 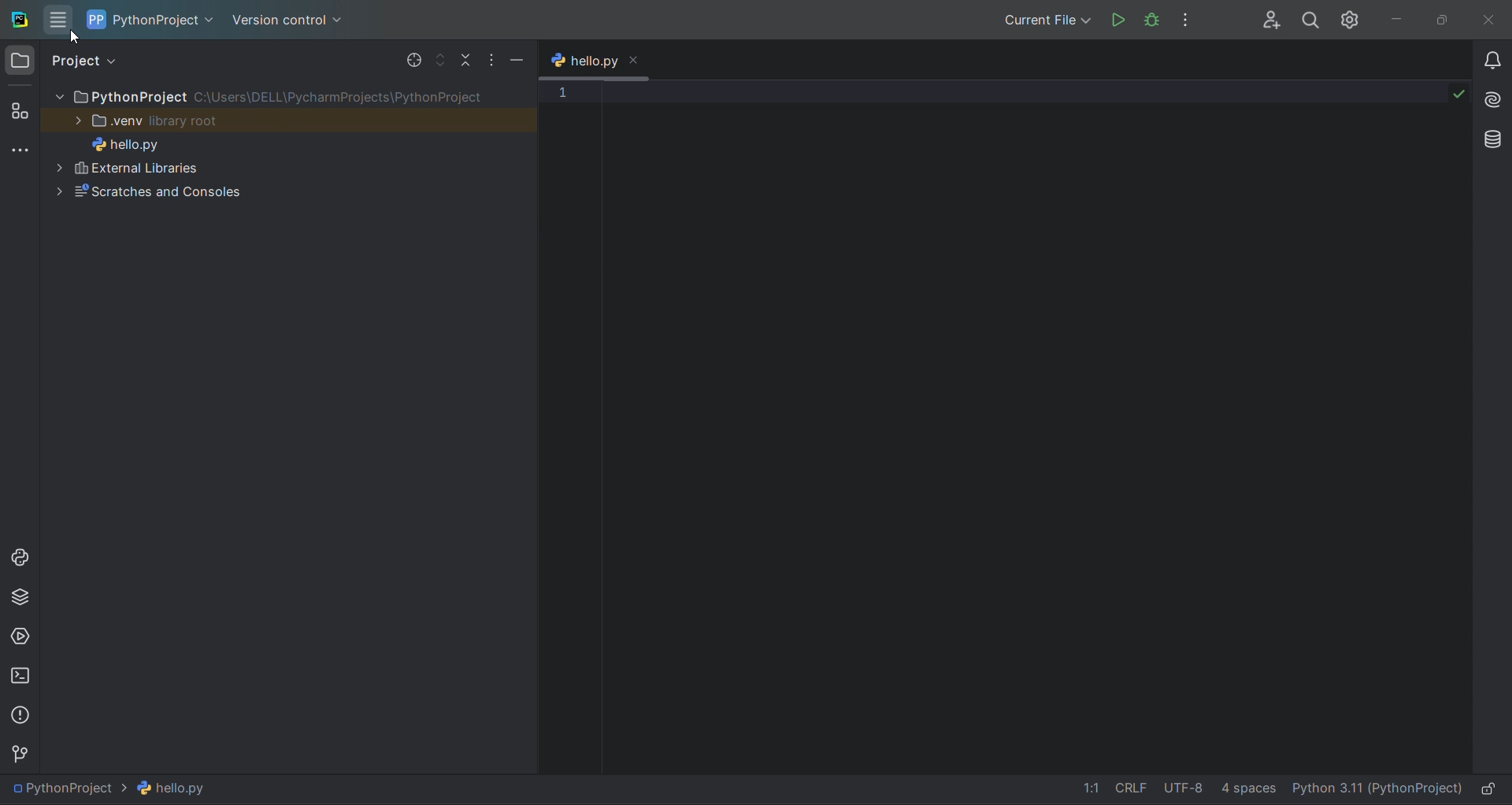 I want to click on view Library root, so click(x=161, y=121).